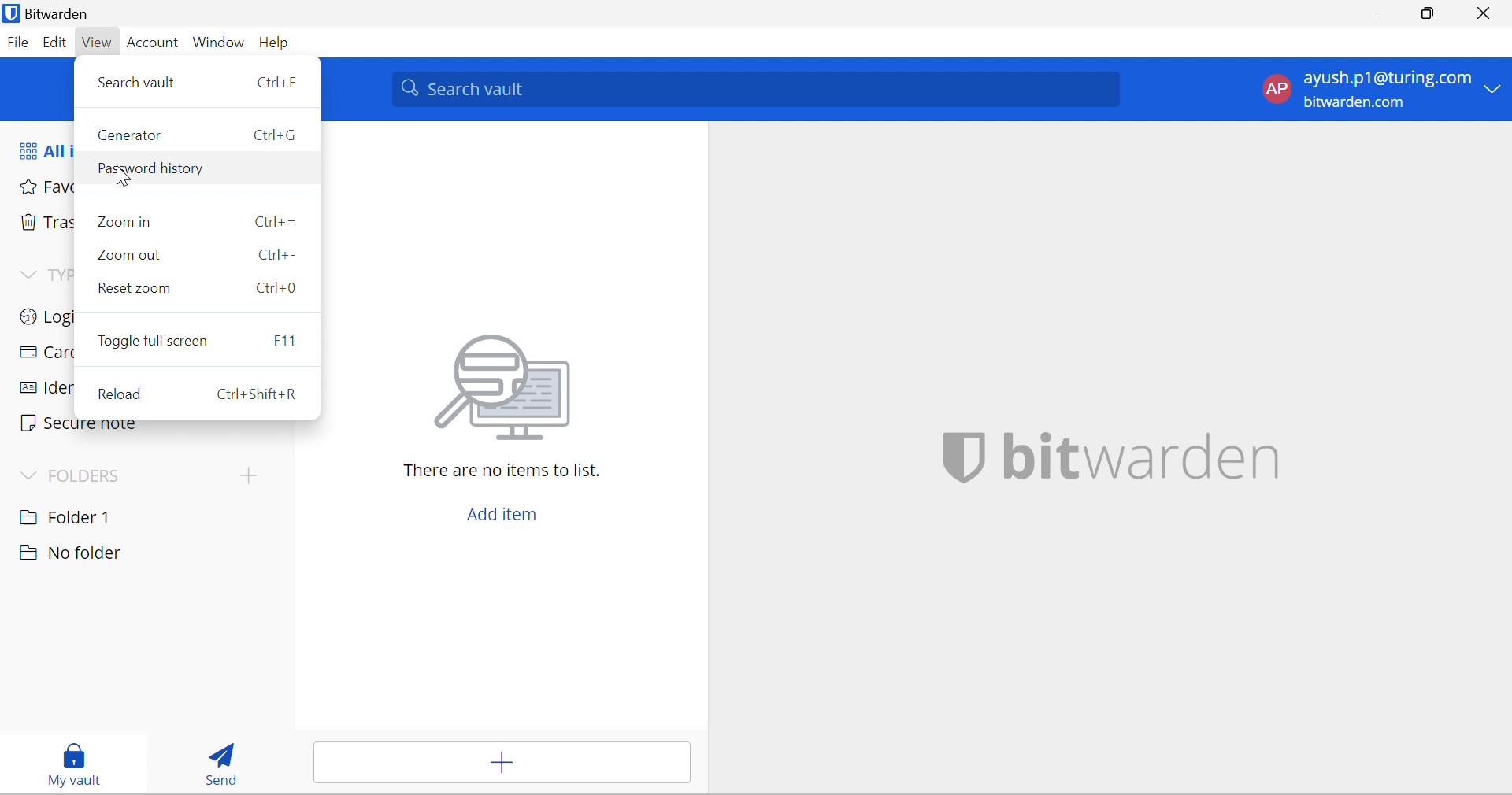 This screenshot has height=795, width=1512. I want to click on search for file vector image, so click(498, 388).